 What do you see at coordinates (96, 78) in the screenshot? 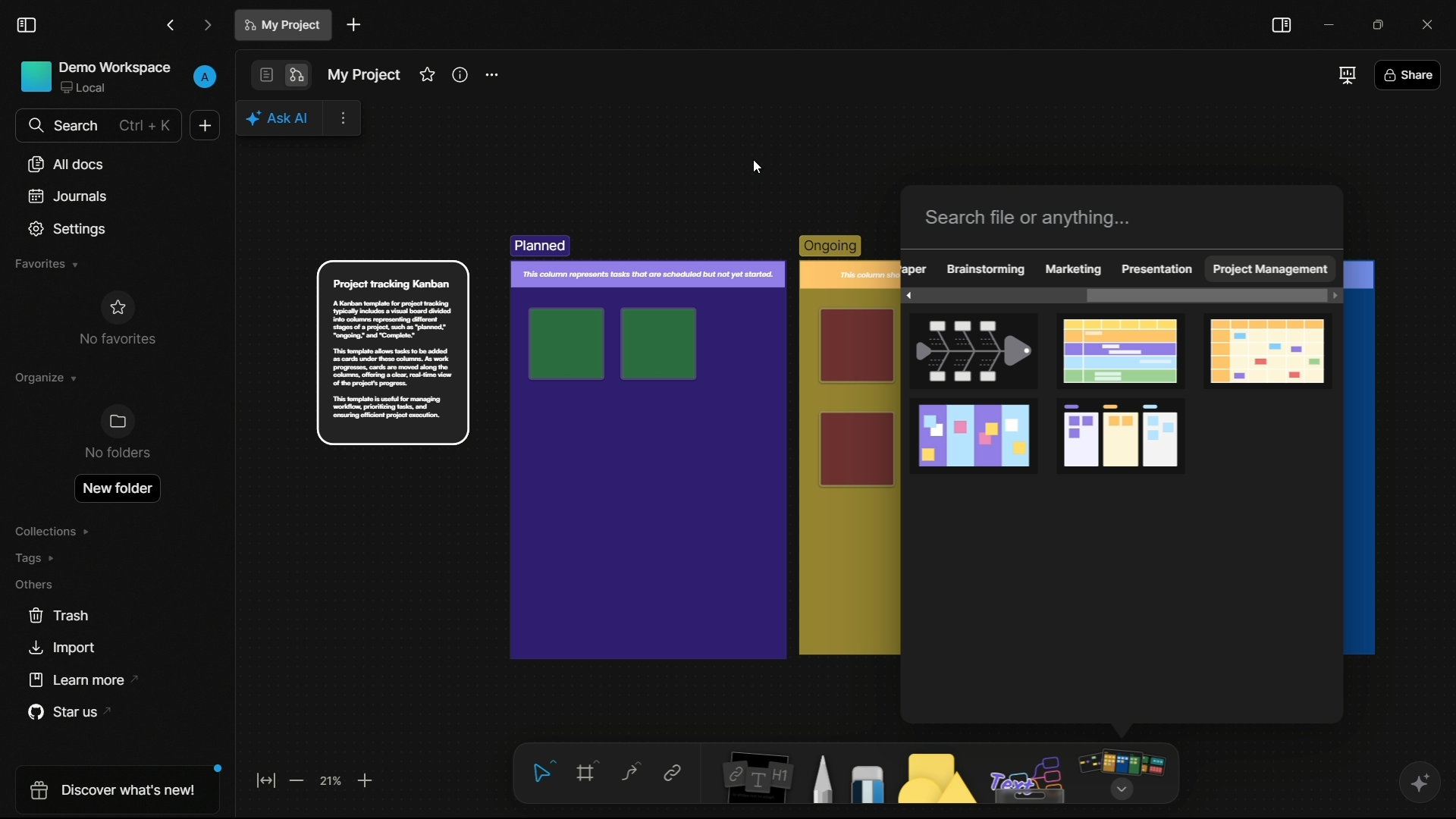
I see `demo workspace` at bounding box center [96, 78].